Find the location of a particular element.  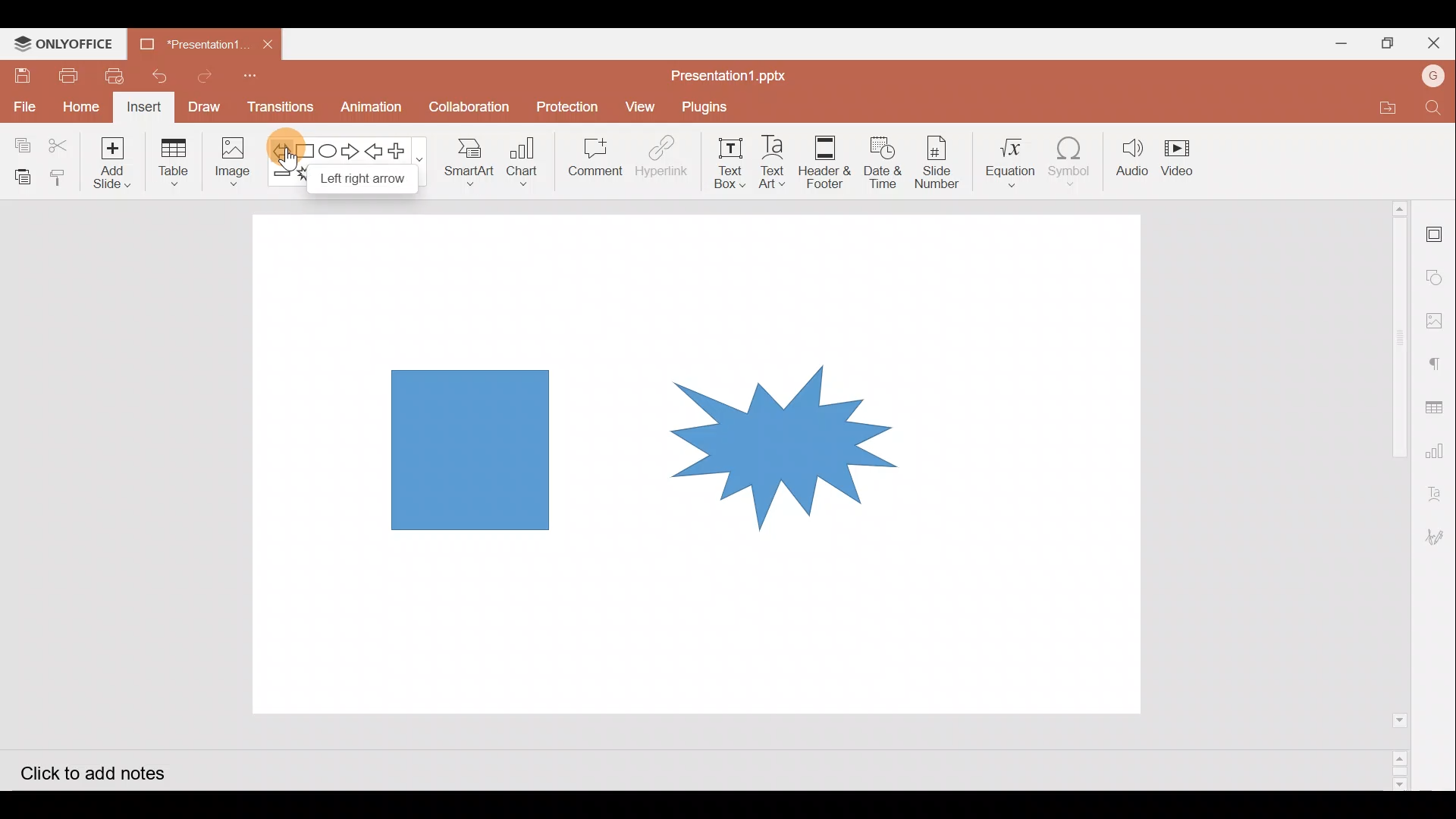

Text box is located at coordinates (733, 162).